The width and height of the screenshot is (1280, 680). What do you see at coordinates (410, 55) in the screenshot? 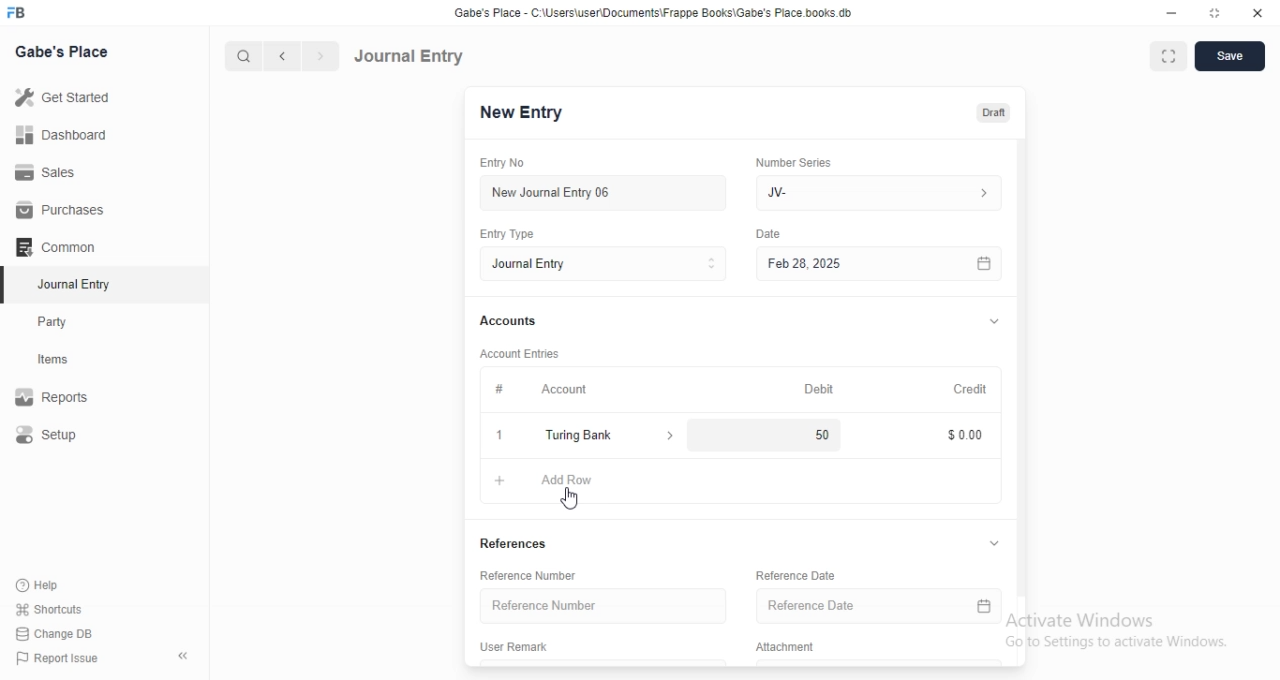
I see `Journal Entry` at bounding box center [410, 55].